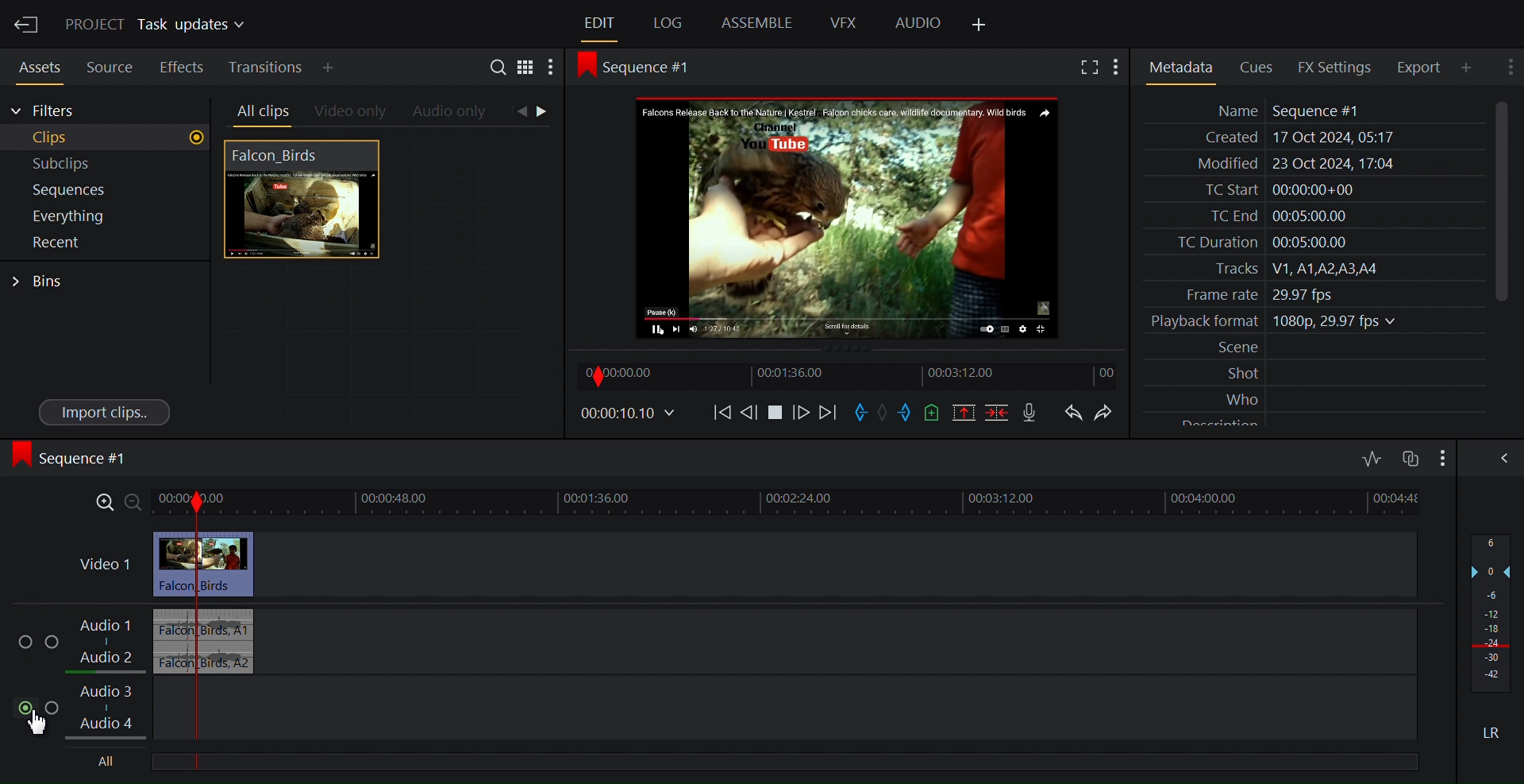 The image size is (1524, 784). I want to click on Effects, so click(182, 65).